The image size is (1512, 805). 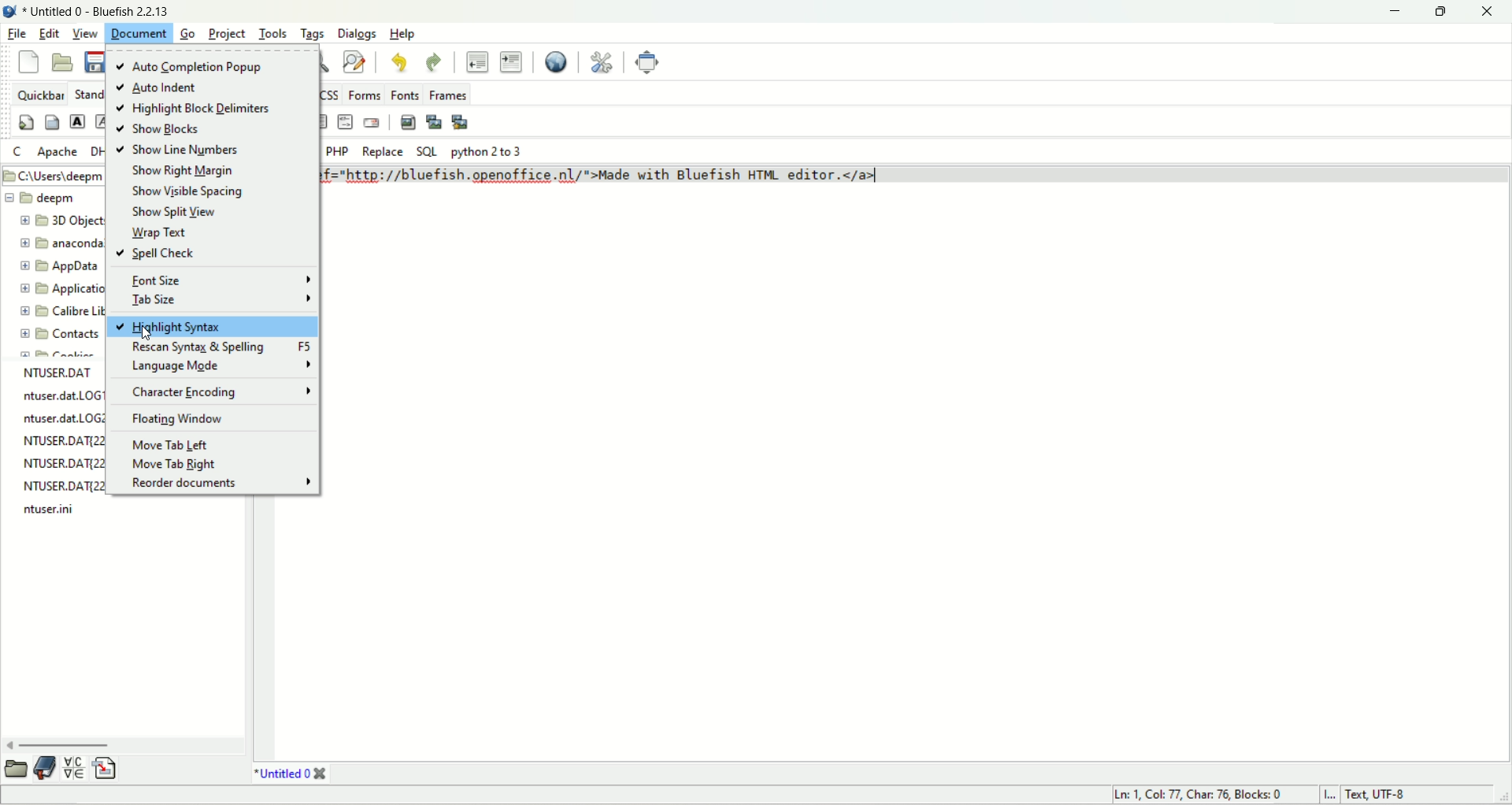 What do you see at coordinates (339, 151) in the screenshot?
I see `PHP` at bounding box center [339, 151].